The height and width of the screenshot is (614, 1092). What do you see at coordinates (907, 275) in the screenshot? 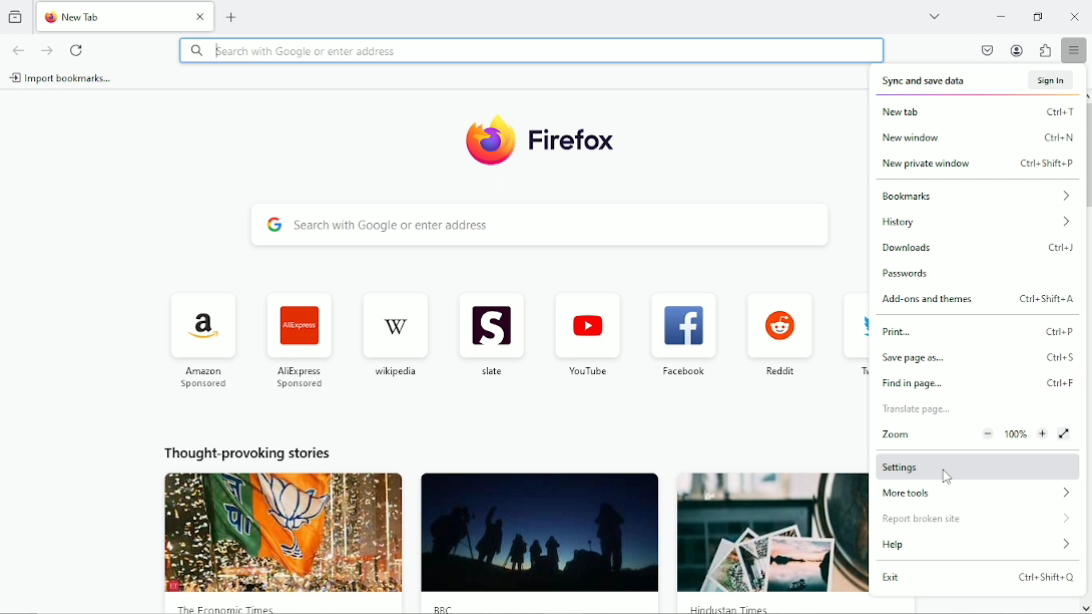
I see `passwords` at bounding box center [907, 275].